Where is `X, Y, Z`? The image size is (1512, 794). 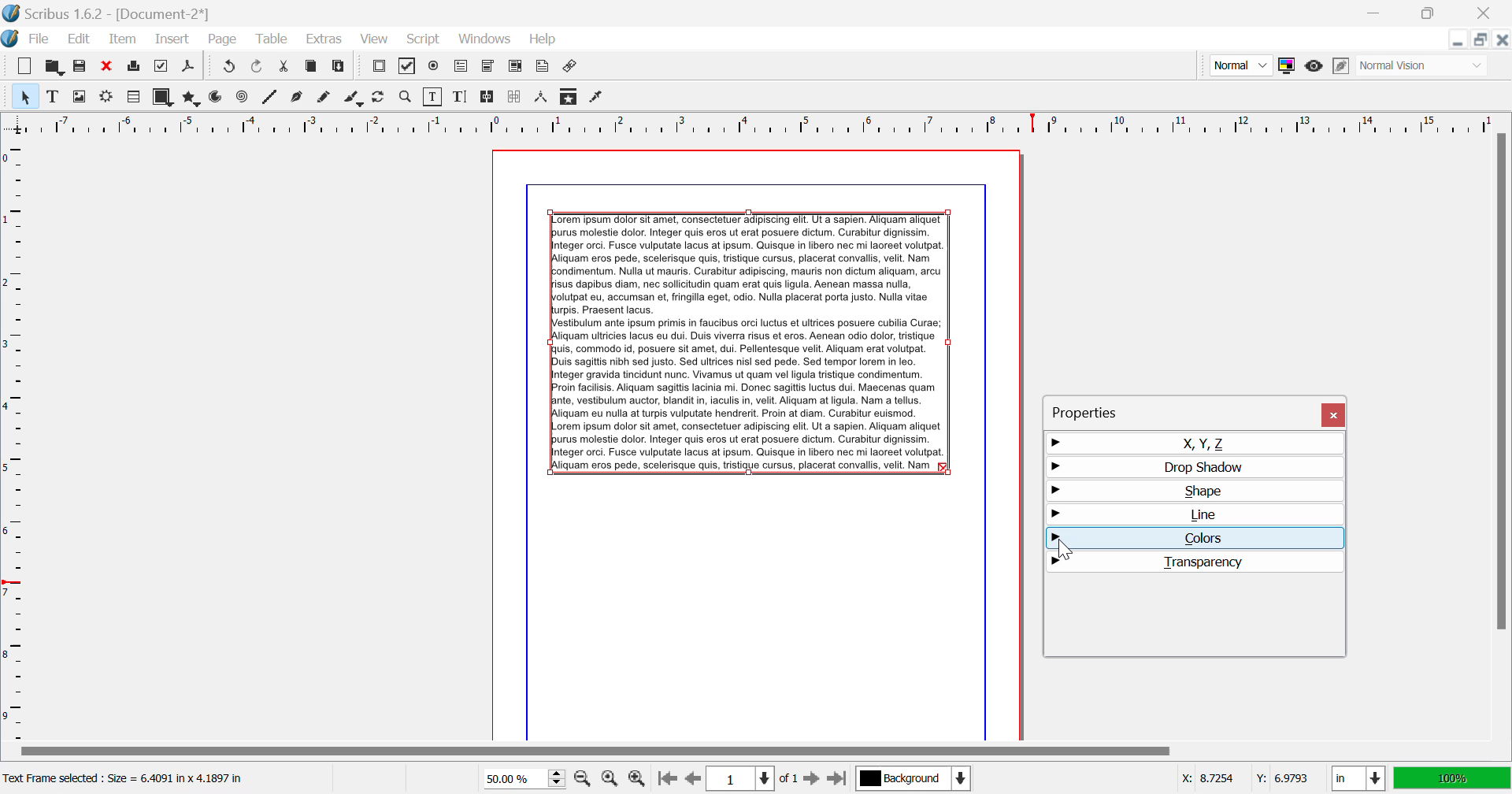 X, Y, Z is located at coordinates (1194, 443).